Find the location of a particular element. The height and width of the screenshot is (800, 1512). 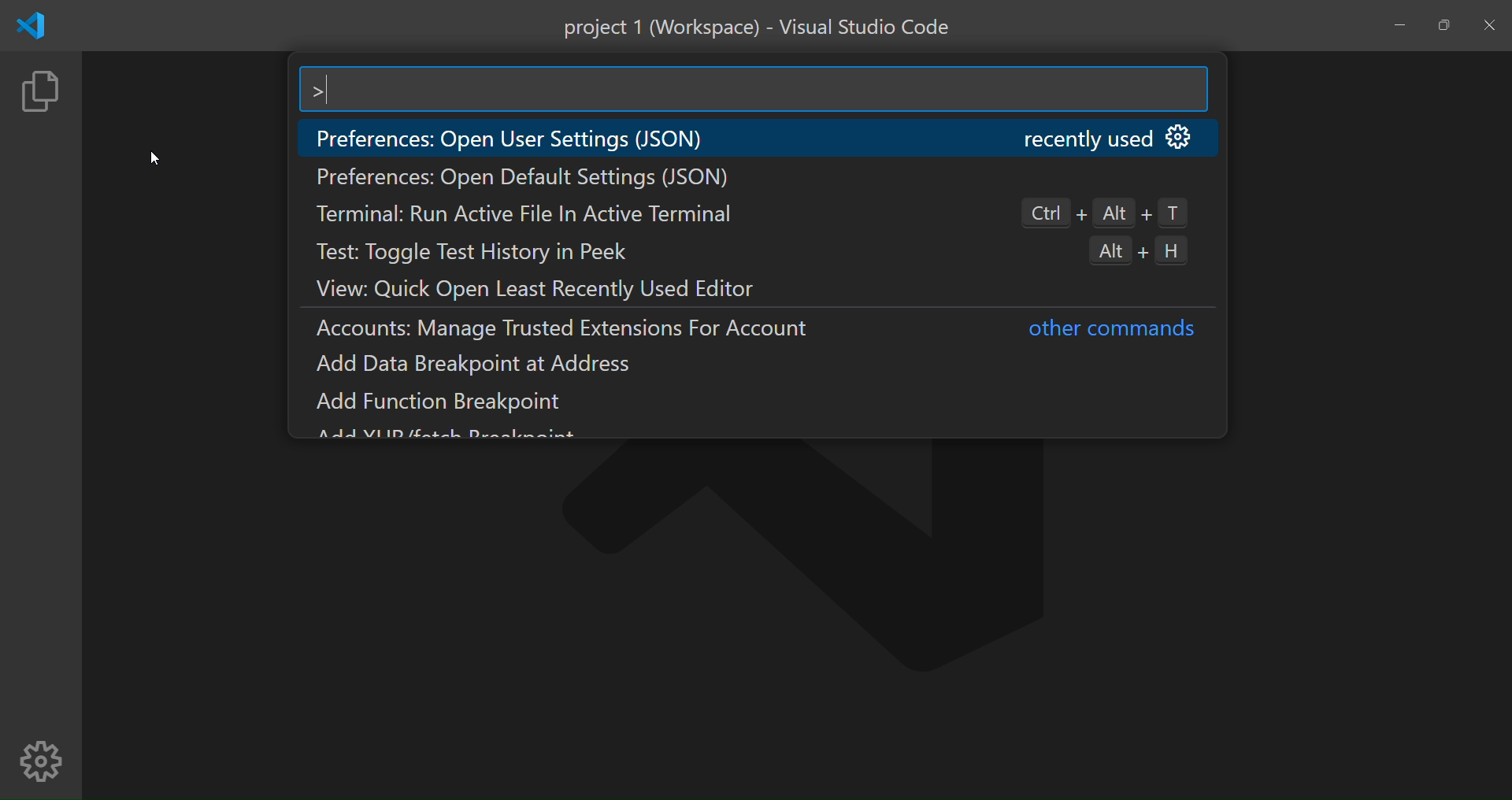

search bar is located at coordinates (752, 91).